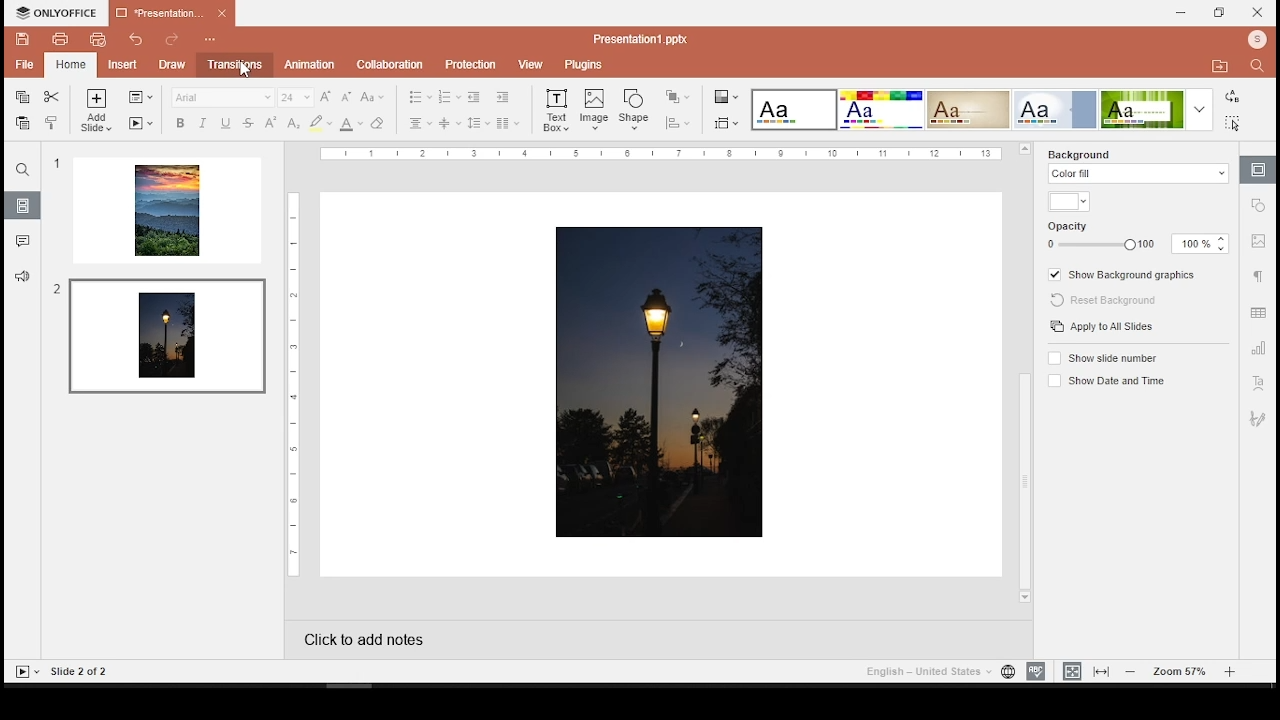 This screenshot has width=1280, height=720. What do you see at coordinates (311, 65) in the screenshot?
I see `animation` at bounding box center [311, 65].